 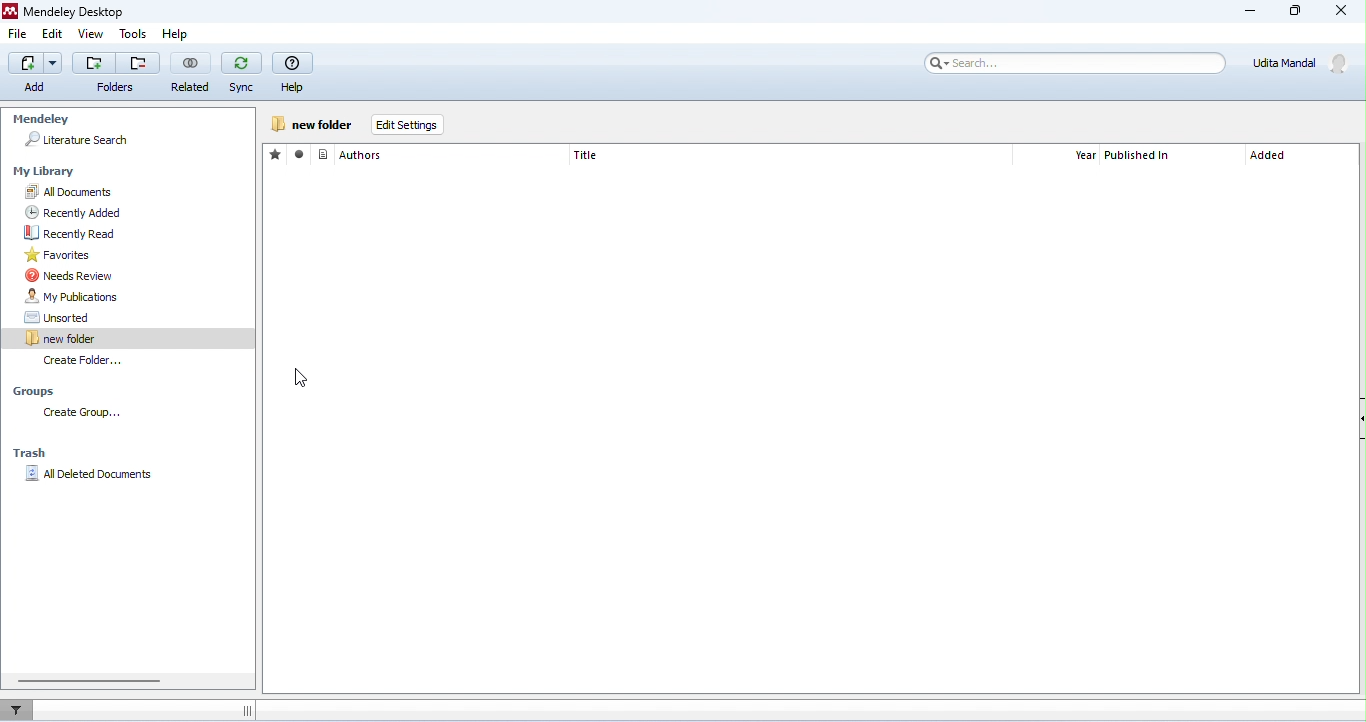 What do you see at coordinates (134, 255) in the screenshot?
I see `favorites` at bounding box center [134, 255].